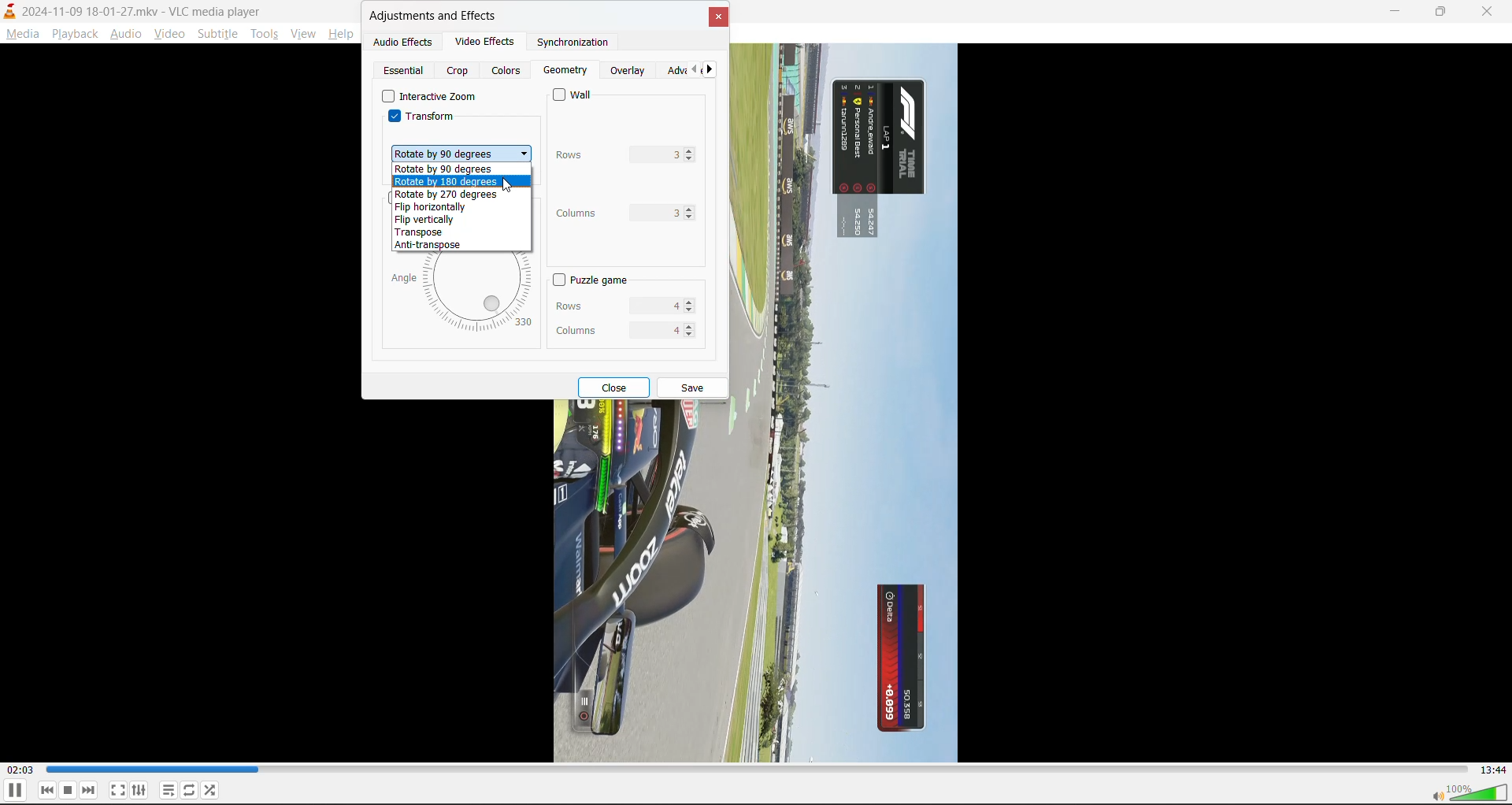 The width and height of the screenshot is (1512, 805). Describe the element at coordinates (461, 72) in the screenshot. I see `crop` at that location.